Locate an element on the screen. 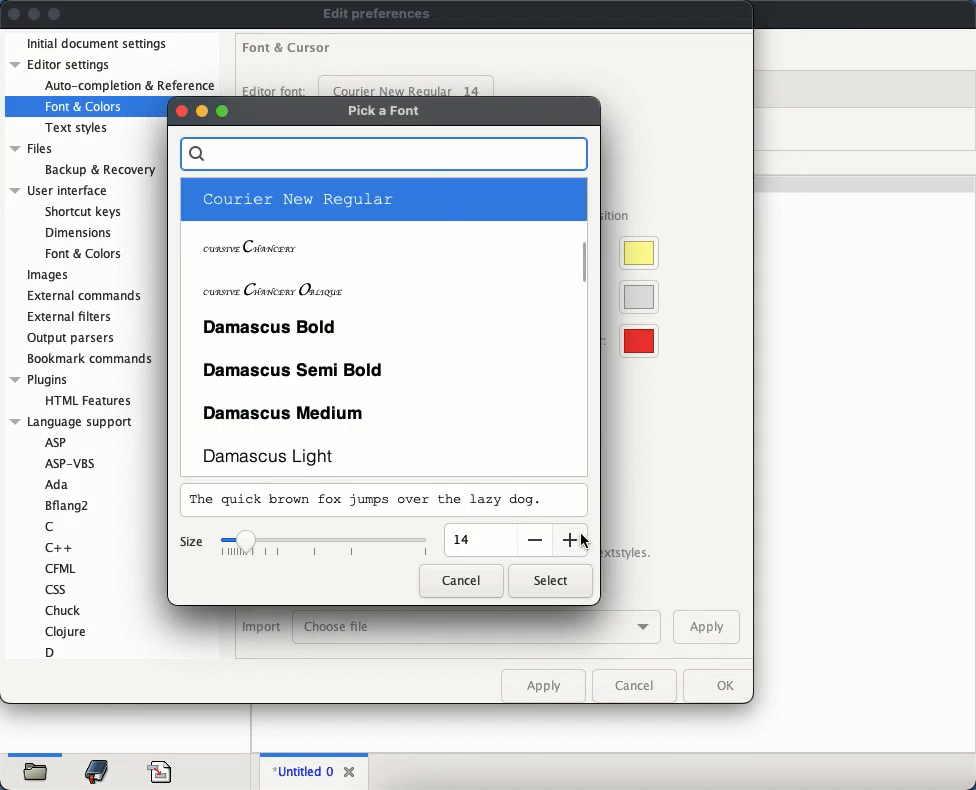  Cursor is located at coordinates (585, 542).